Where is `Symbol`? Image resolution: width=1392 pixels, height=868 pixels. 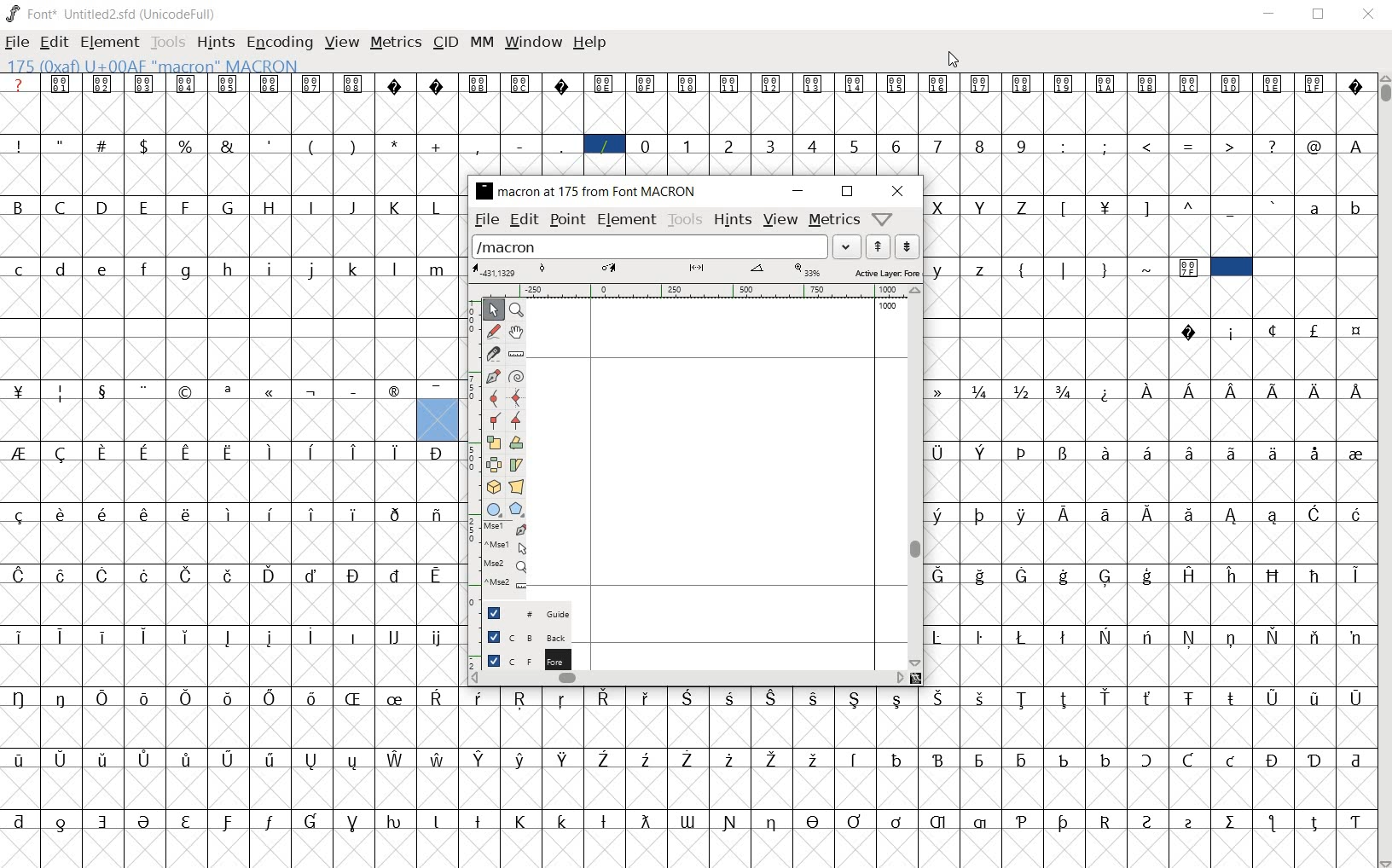 Symbol is located at coordinates (644, 820).